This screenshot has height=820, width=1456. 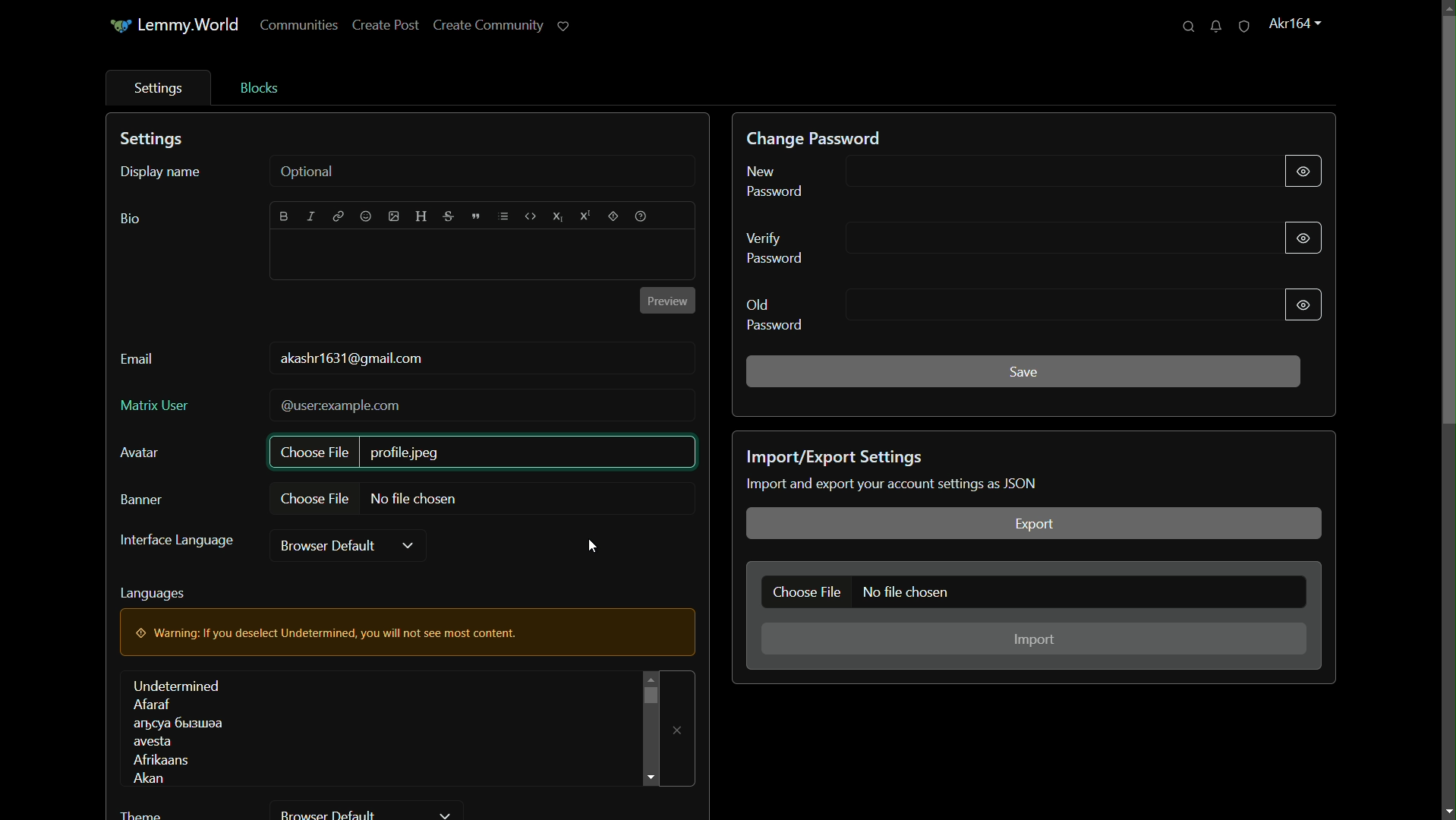 What do you see at coordinates (1302, 168) in the screenshot?
I see `show` at bounding box center [1302, 168].